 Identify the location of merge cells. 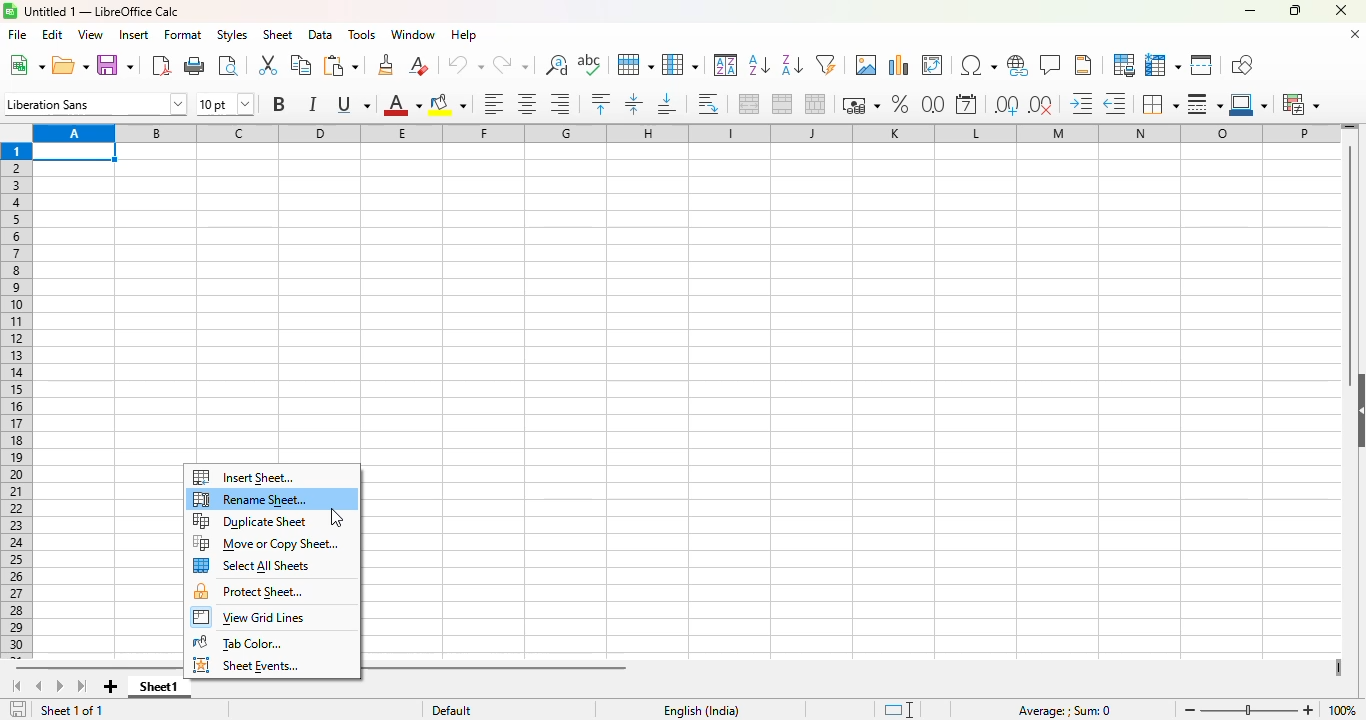
(783, 103).